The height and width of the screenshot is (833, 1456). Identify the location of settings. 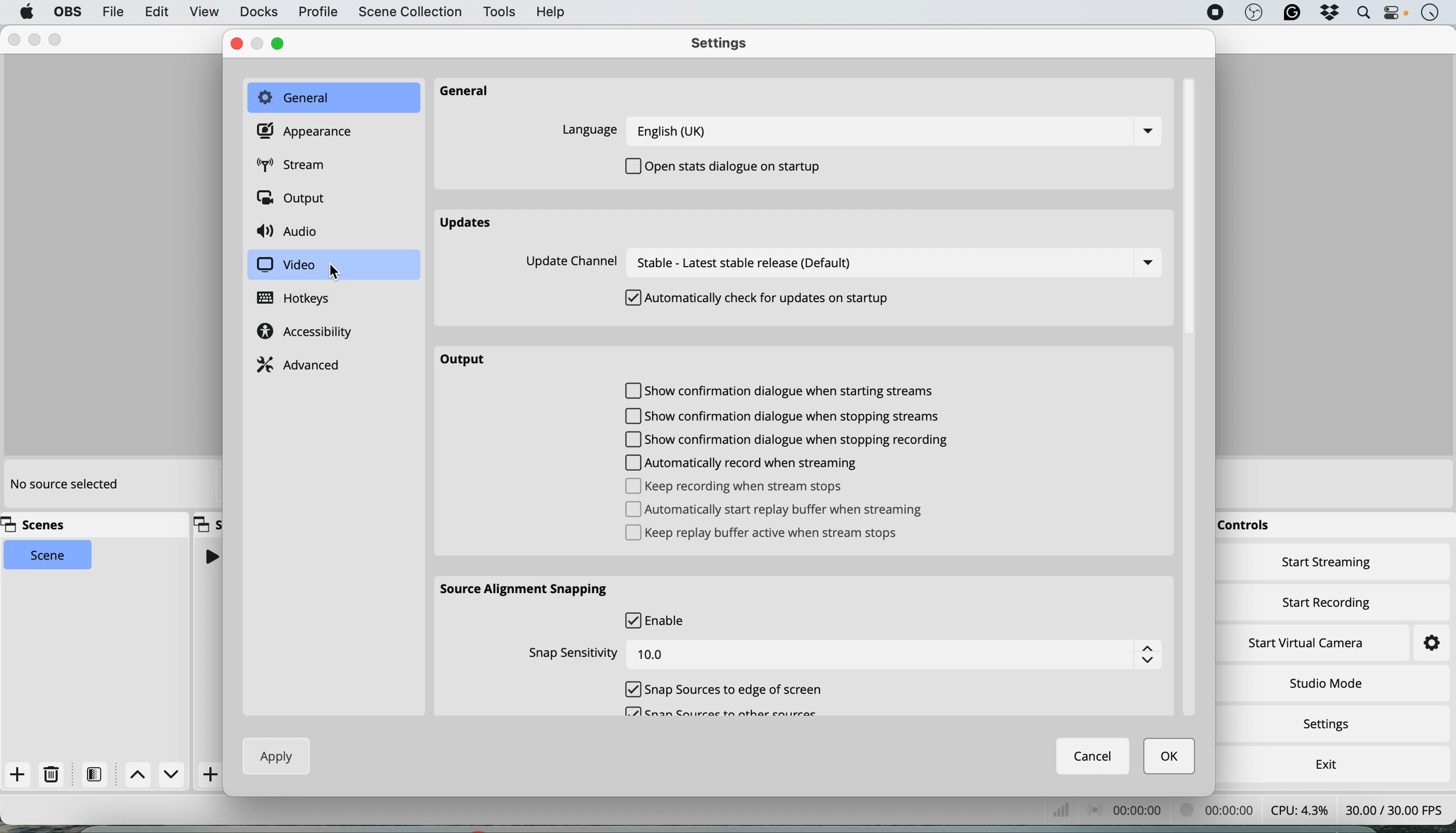
(725, 45).